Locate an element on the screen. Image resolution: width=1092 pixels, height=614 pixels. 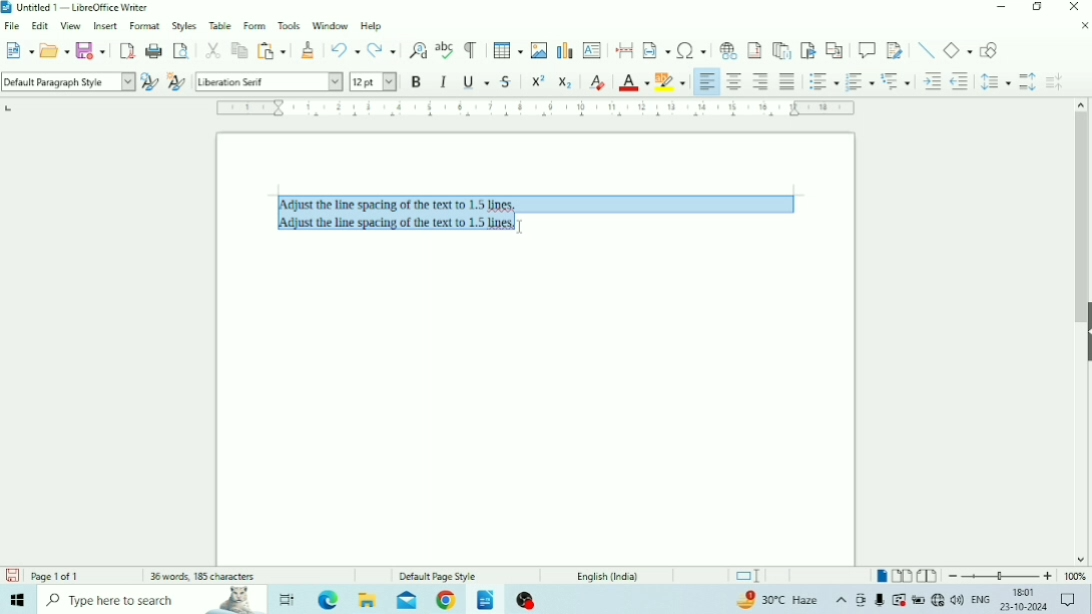
Mail is located at coordinates (408, 600).